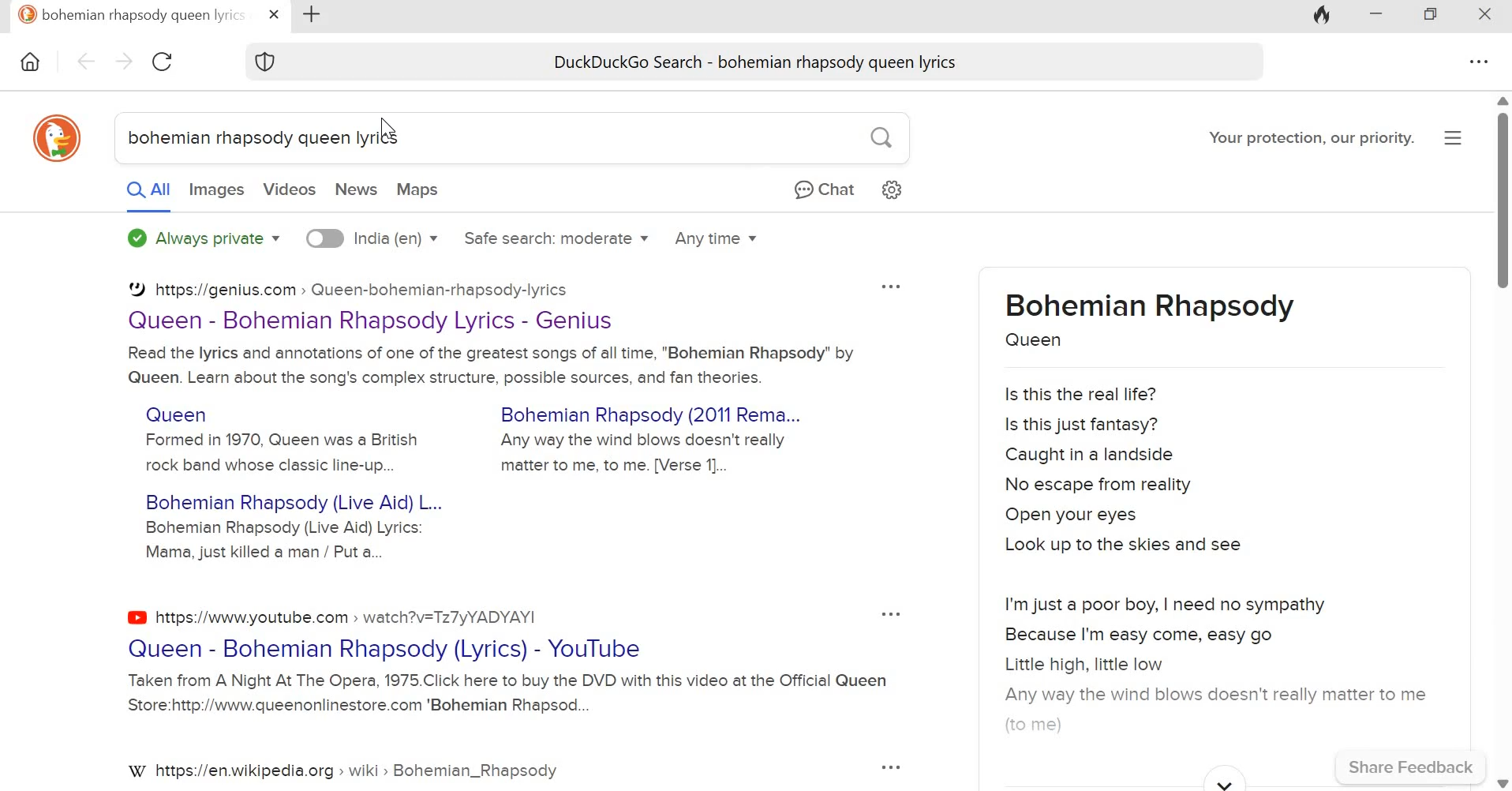  Describe the element at coordinates (1226, 561) in the screenshot. I see `Is this the real life?

Is this just fantasy?

Caught in a landside

No escape from reality

Open your eyes

Look up to the skies and see

I'm just a poor boy, | need no sympathy

Because I'm easy come, easy go

Little high, little low

Any way the wind blows doesn't really matter to me` at that location.